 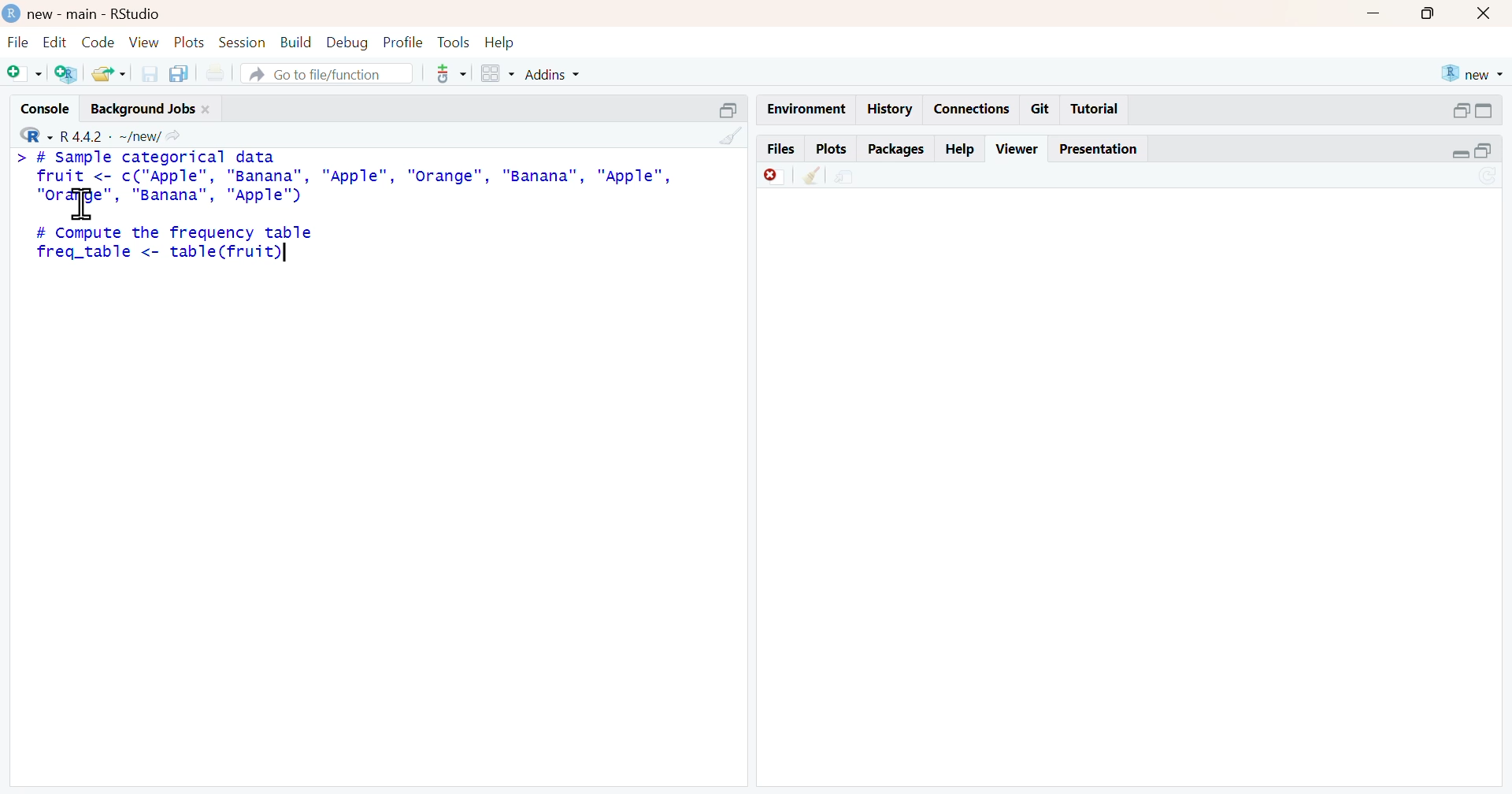 I want to click on refresh current plot, so click(x=1490, y=176).